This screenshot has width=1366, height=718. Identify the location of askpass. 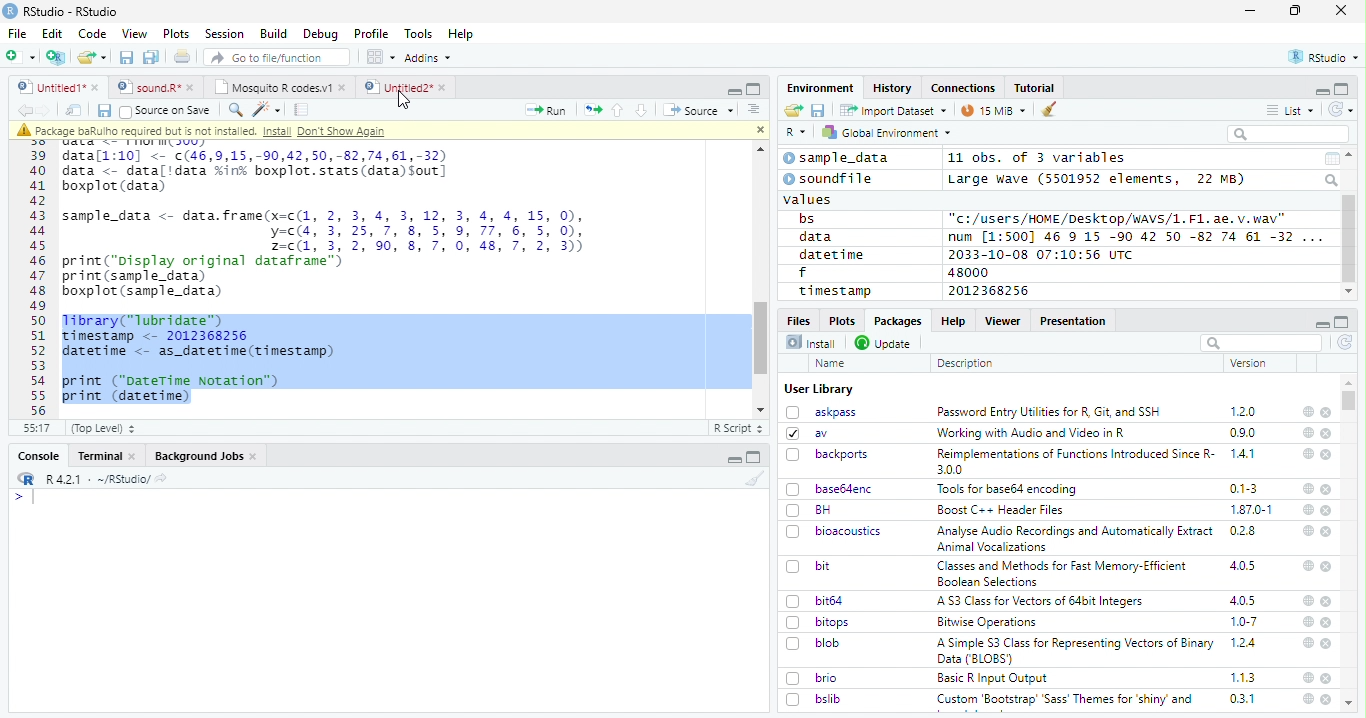
(820, 412).